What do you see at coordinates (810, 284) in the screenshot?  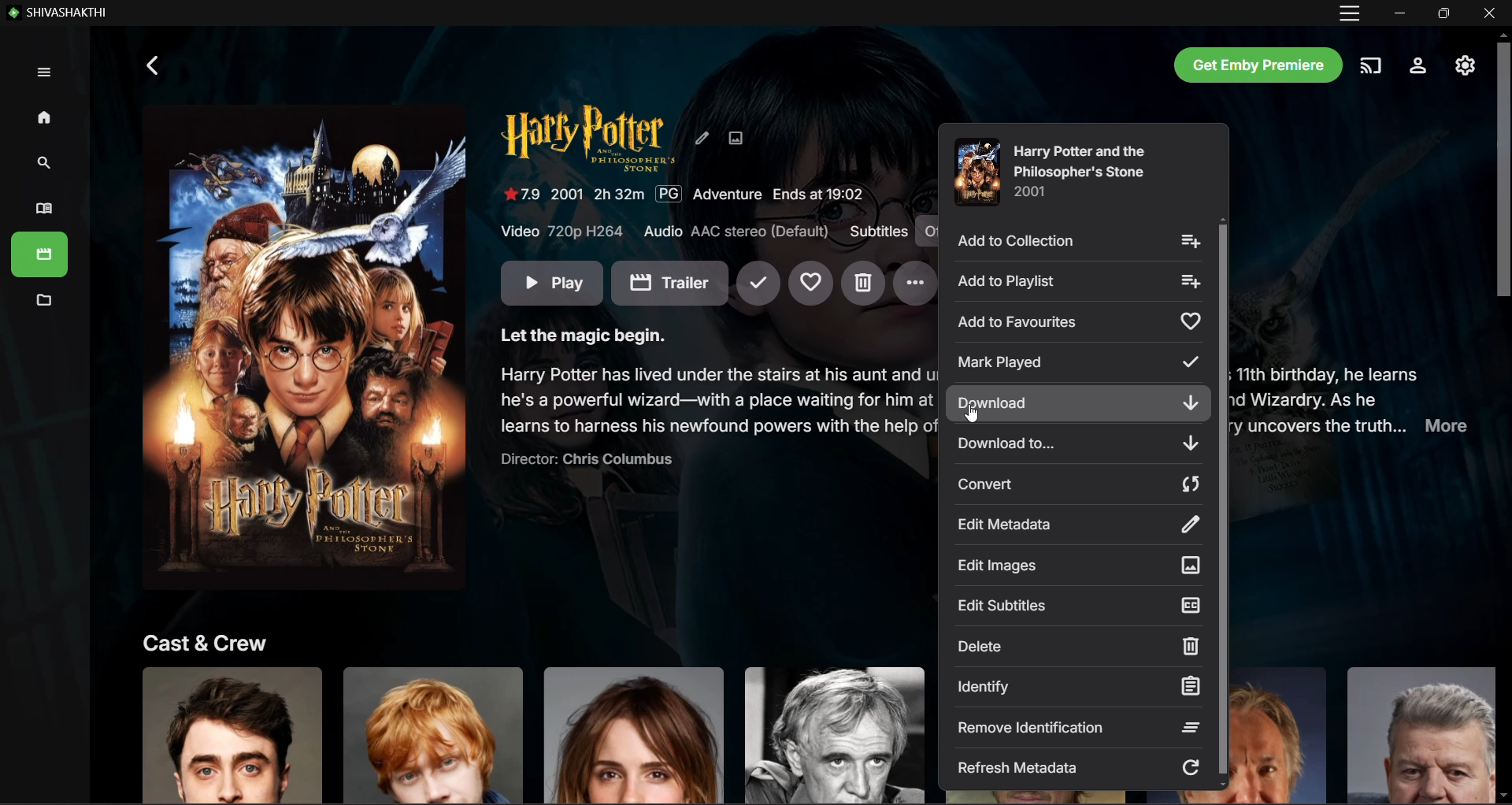 I see `Add to Favorites` at bounding box center [810, 284].